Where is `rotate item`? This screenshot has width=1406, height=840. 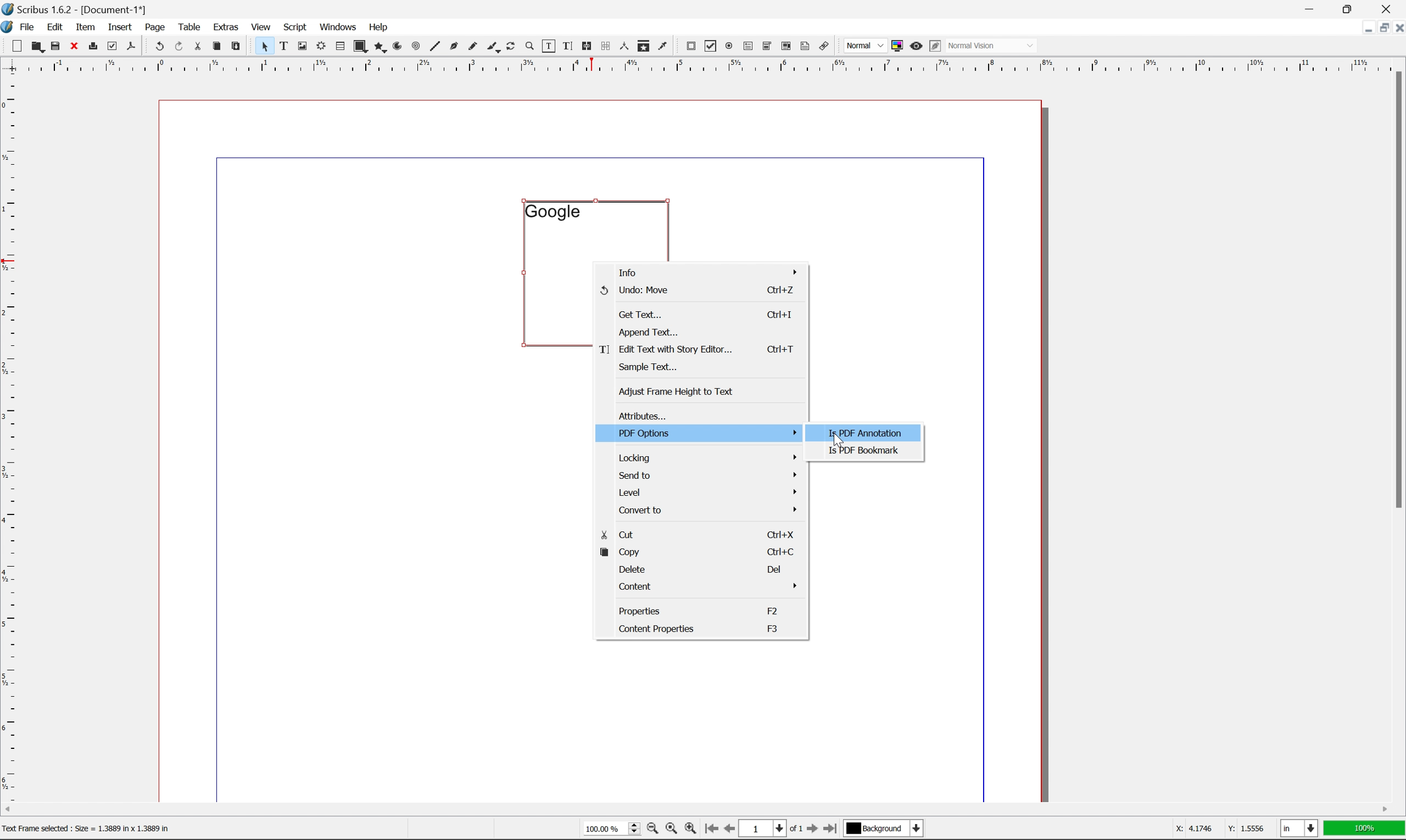 rotate item is located at coordinates (511, 47).